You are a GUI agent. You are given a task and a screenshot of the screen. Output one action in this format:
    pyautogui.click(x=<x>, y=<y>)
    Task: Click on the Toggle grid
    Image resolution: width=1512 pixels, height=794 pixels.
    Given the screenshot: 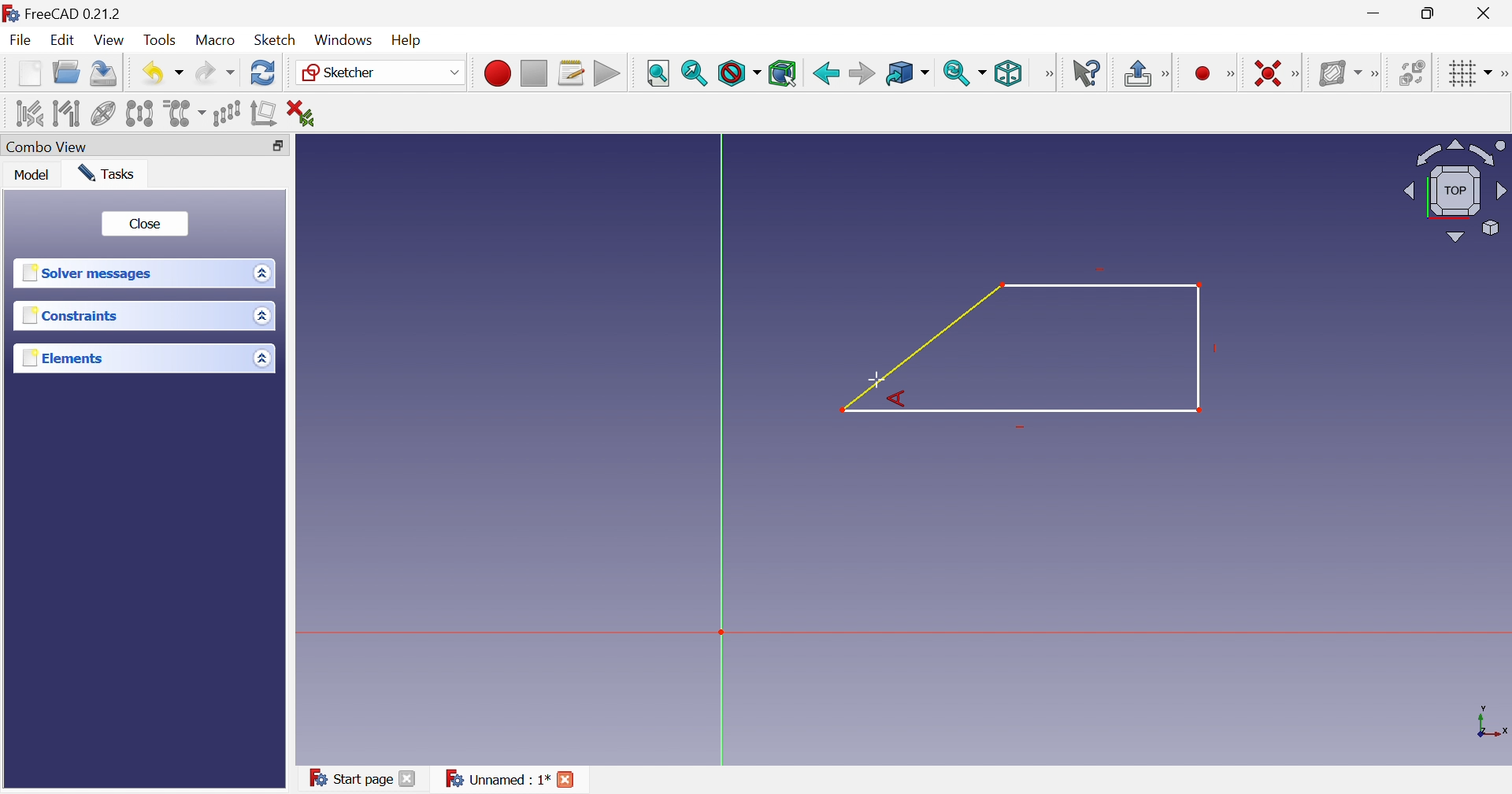 What is the action you would take?
    pyautogui.click(x=1458, y=73)
    